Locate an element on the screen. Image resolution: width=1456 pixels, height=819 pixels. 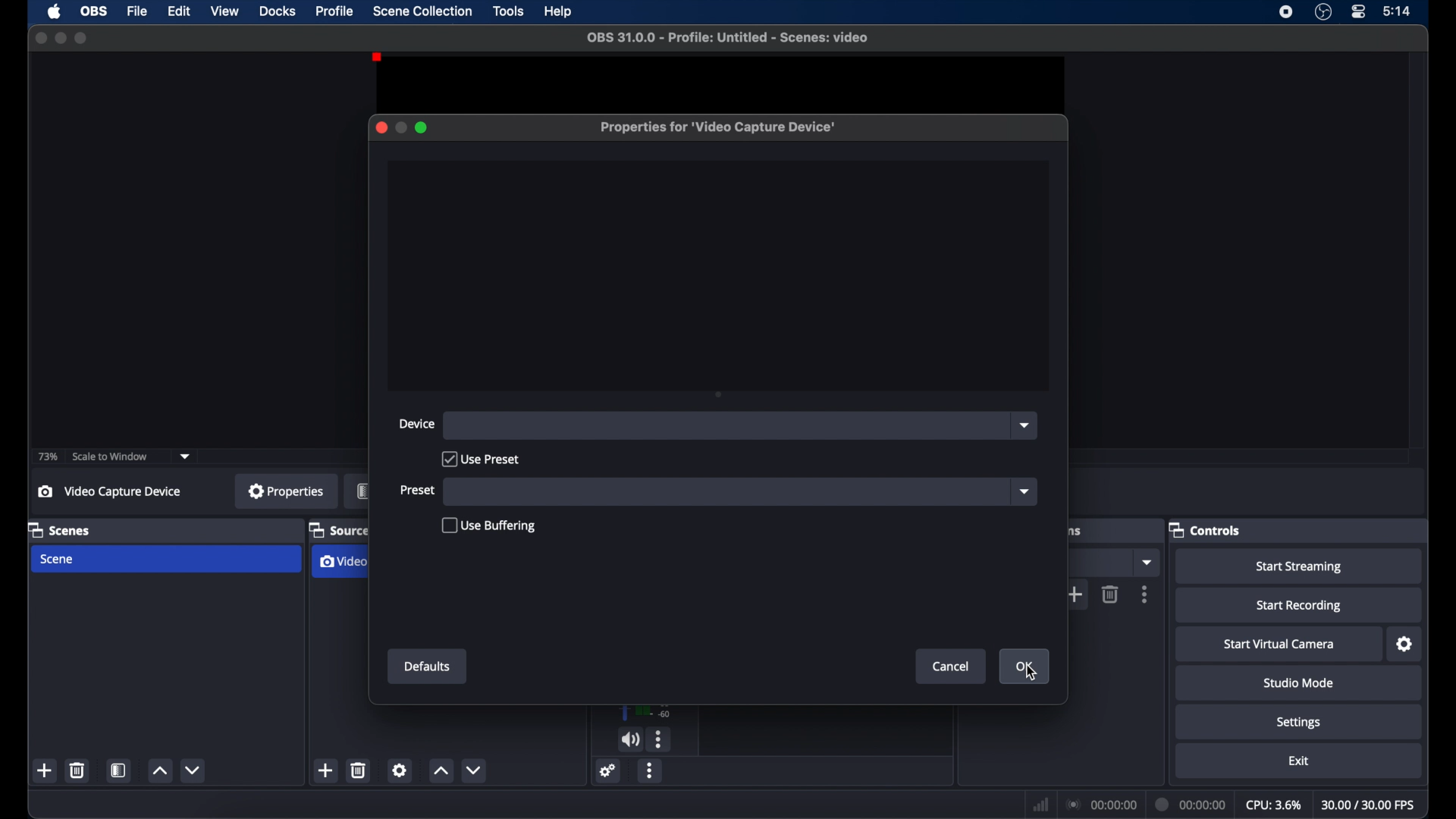
studio mode is located at coordinates (1300, 683).